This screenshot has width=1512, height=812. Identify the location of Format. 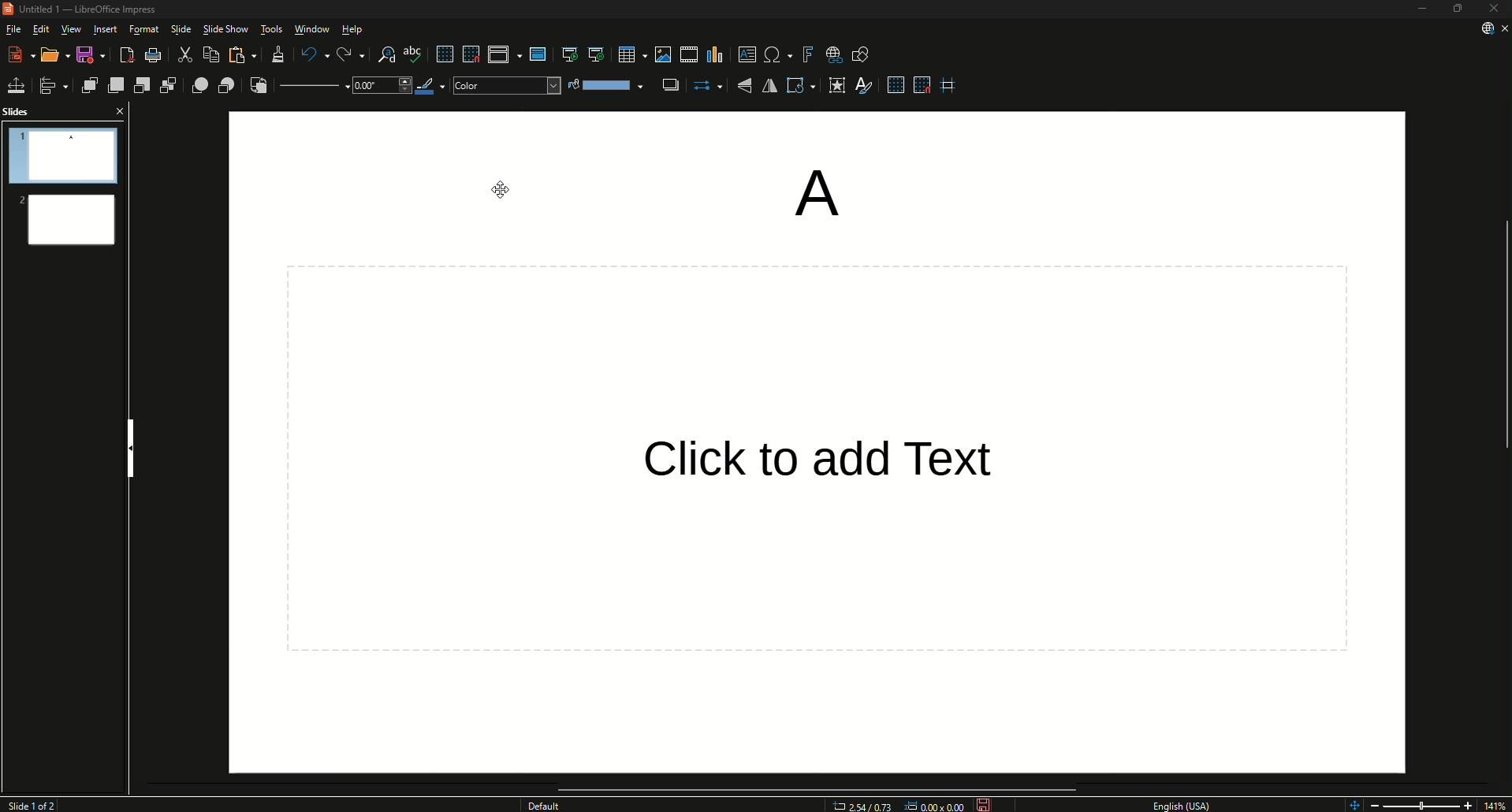
(143, 29).